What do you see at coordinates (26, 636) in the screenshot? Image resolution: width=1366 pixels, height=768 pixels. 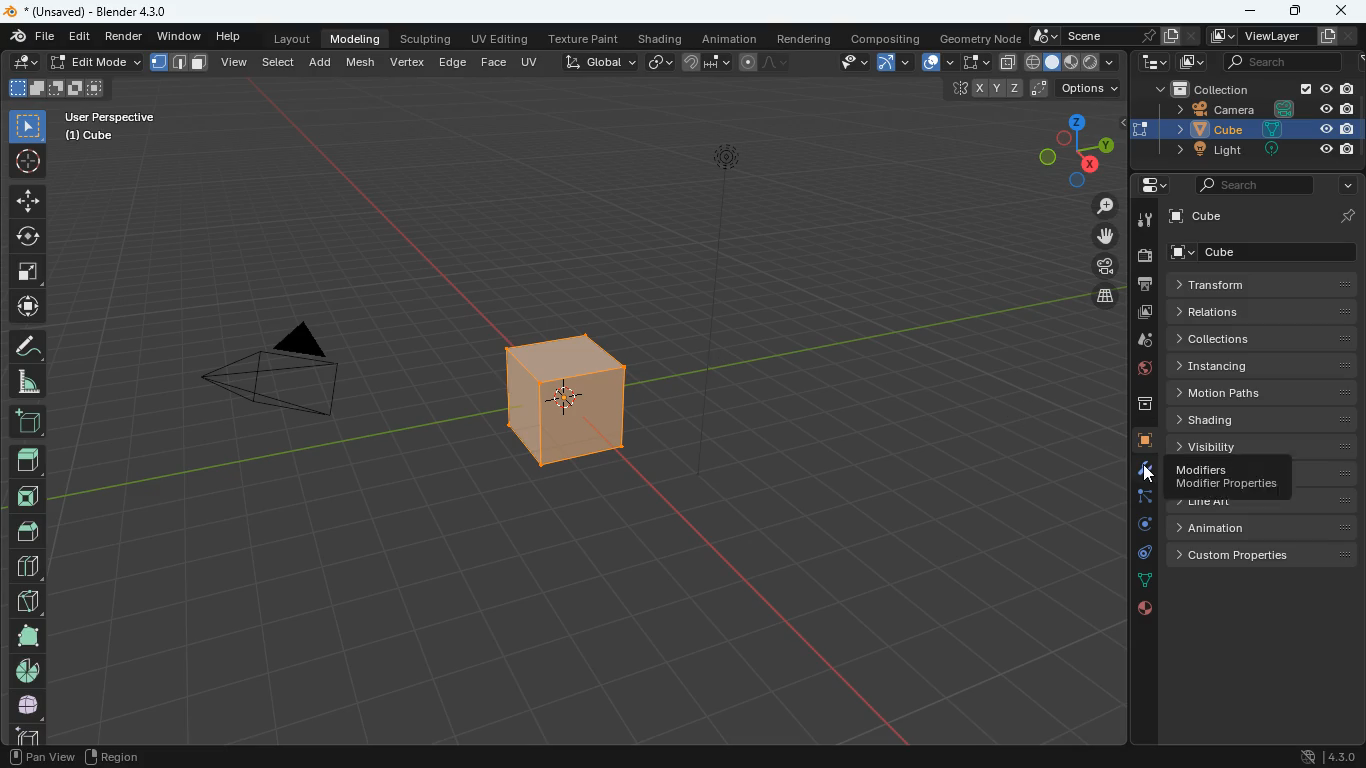 I see `full` at bounding box center [26, 636].